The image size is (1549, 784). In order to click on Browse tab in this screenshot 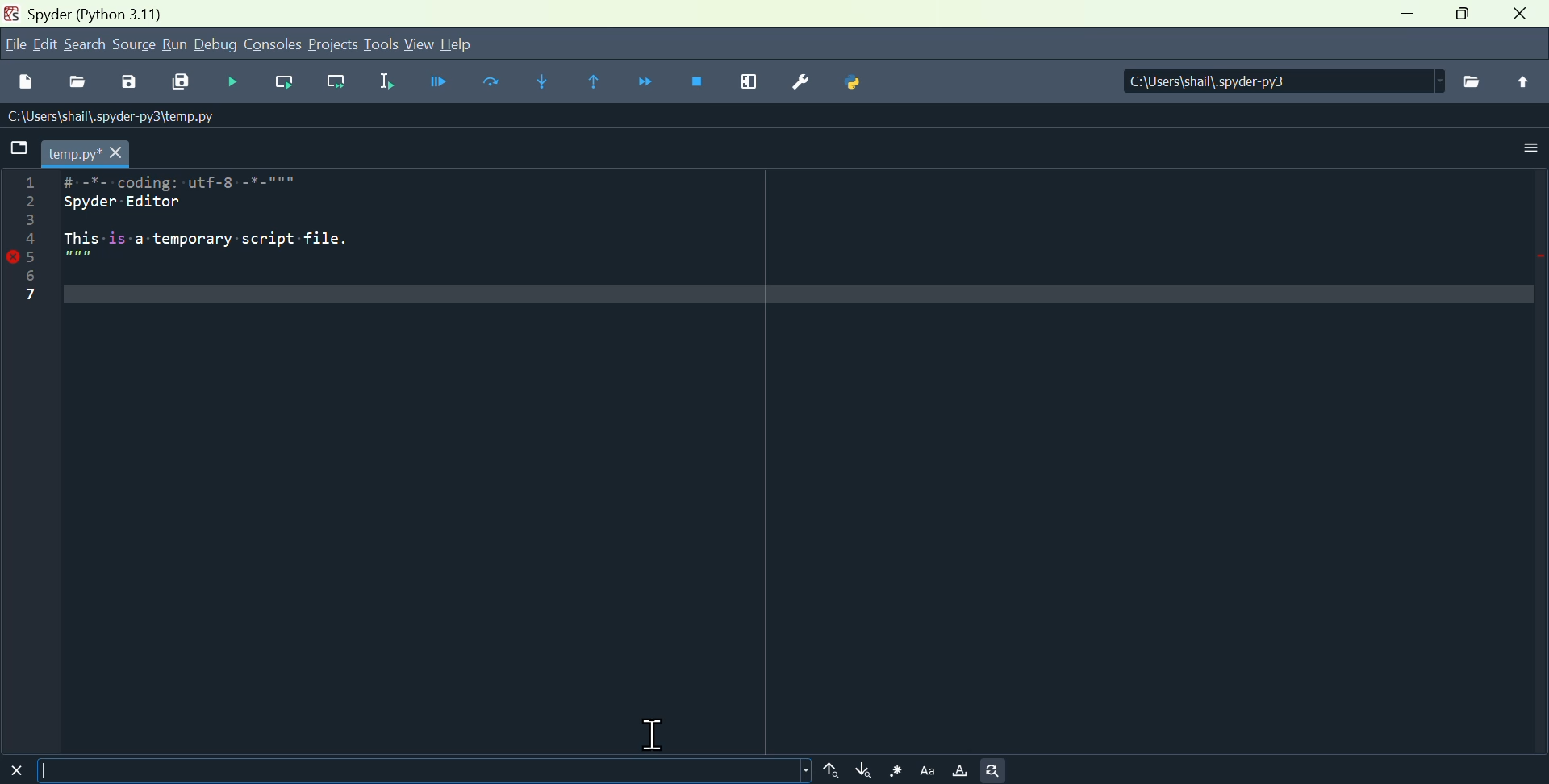, I will do `click(19, 151)`.